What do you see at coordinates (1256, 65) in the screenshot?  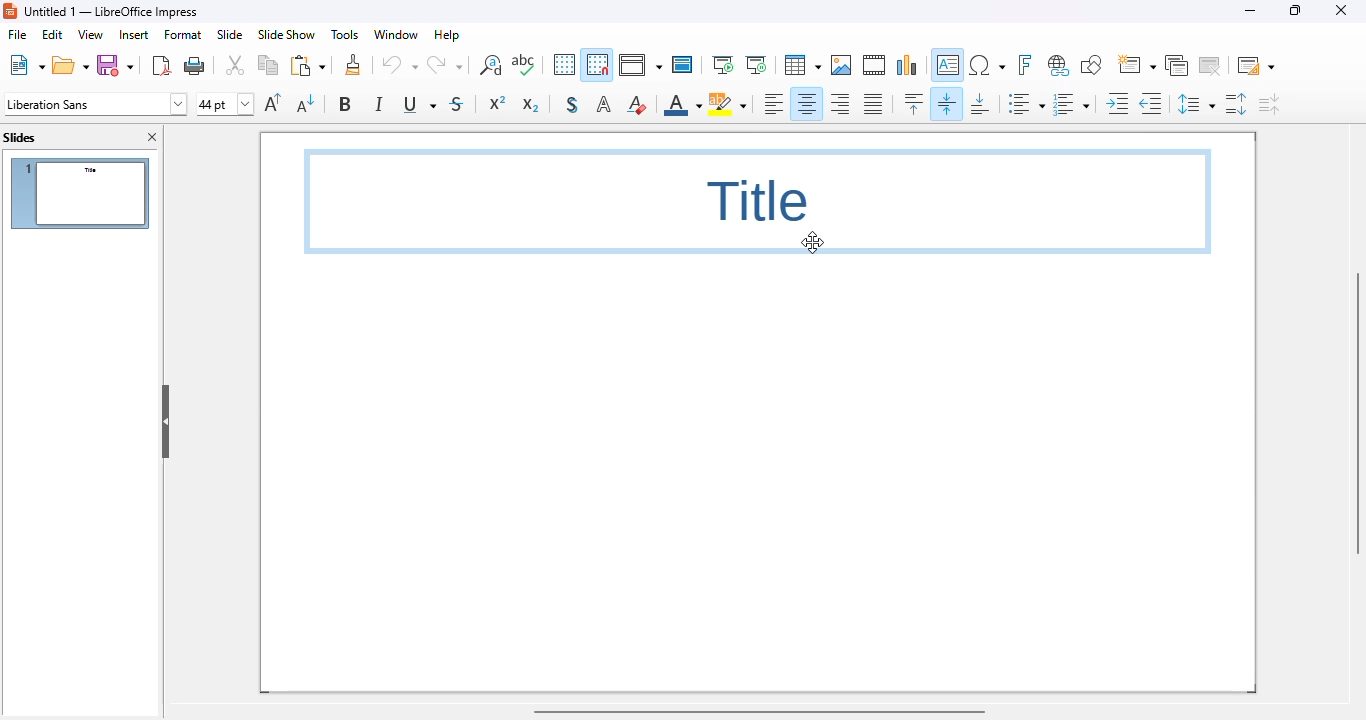 I see `slide layout` at bounding box center [1256, 65].